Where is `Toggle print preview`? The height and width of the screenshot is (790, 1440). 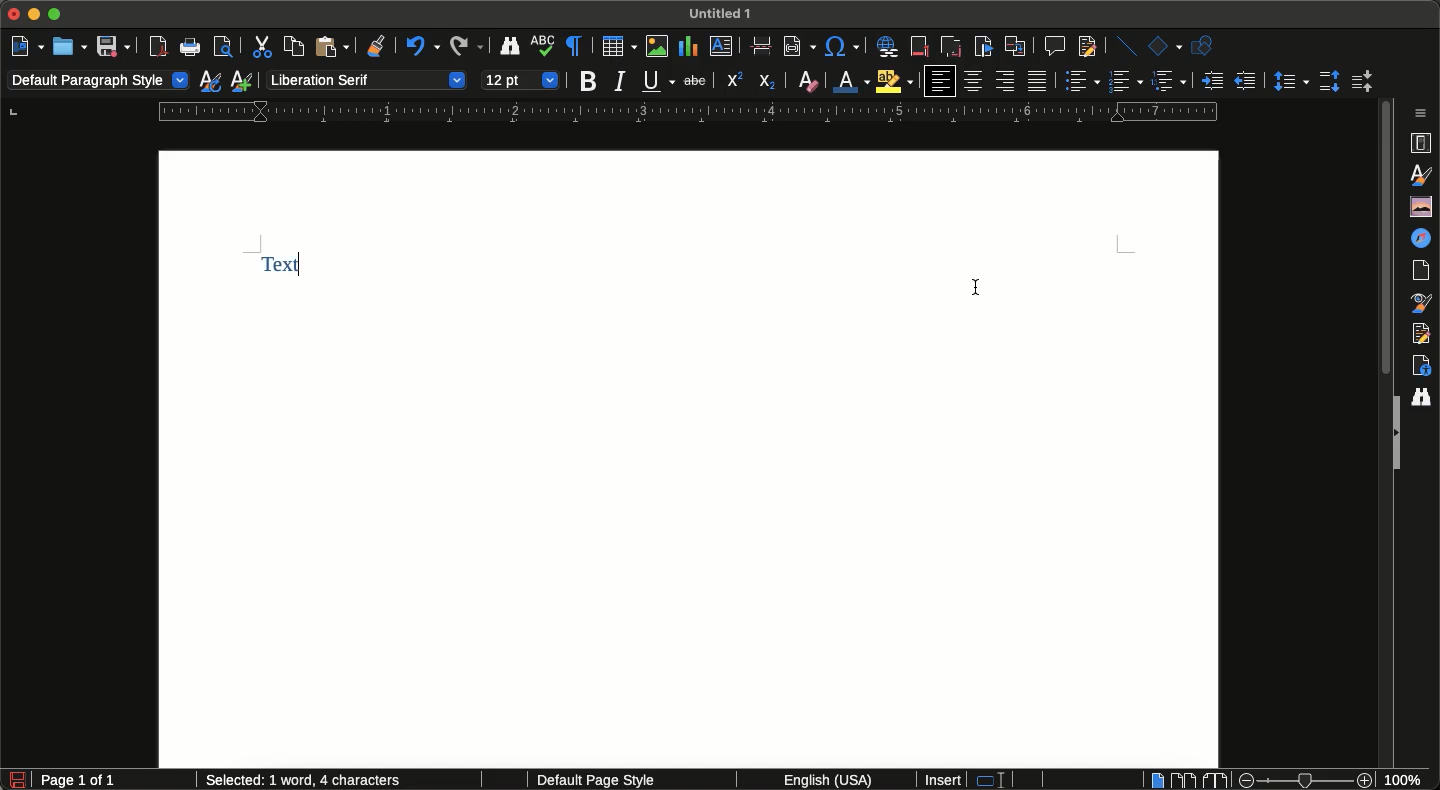
Toggle print preview is located at coordinates (224, 49).